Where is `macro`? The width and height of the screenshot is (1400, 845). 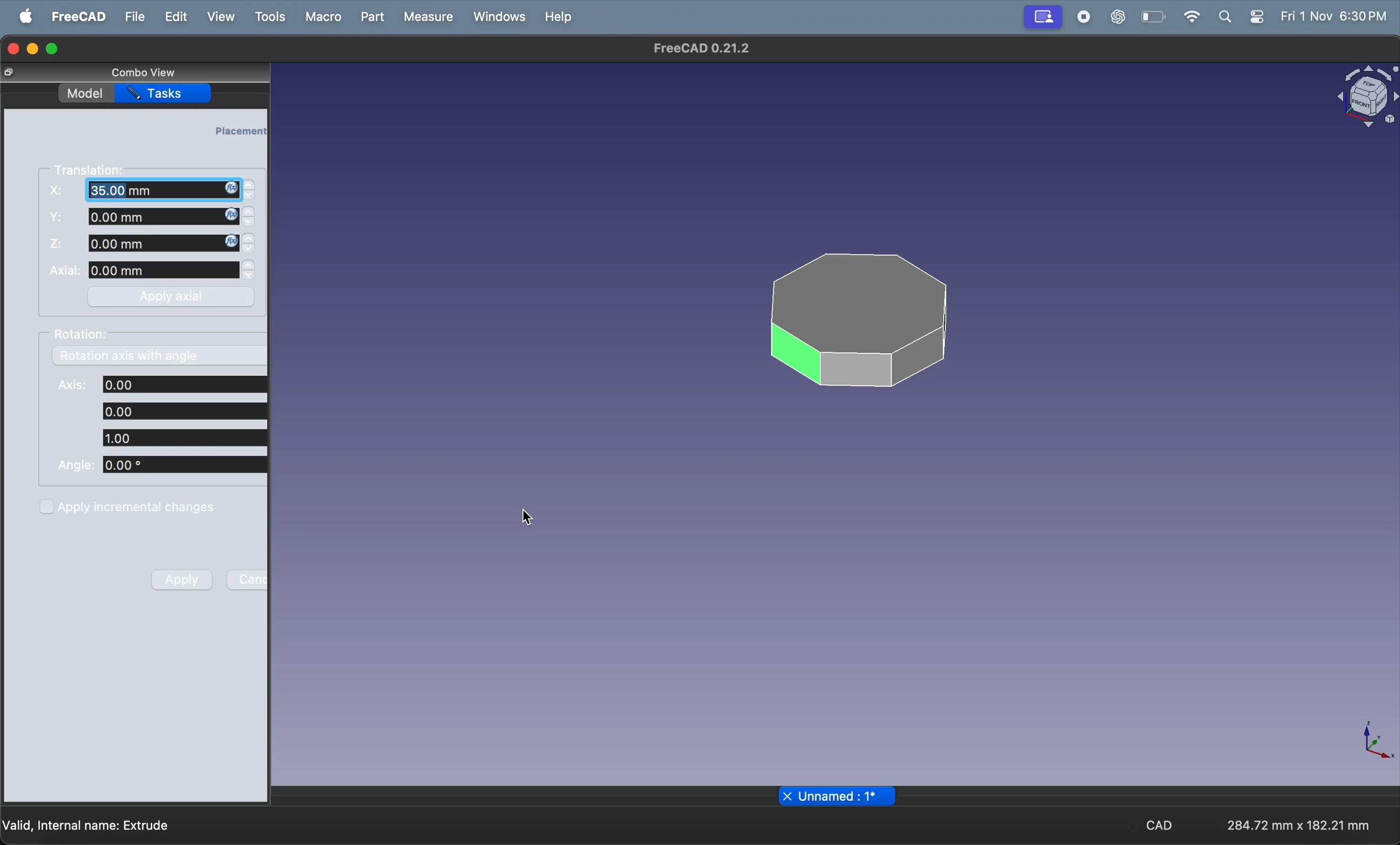 macro is located at coordinates (320, 16).